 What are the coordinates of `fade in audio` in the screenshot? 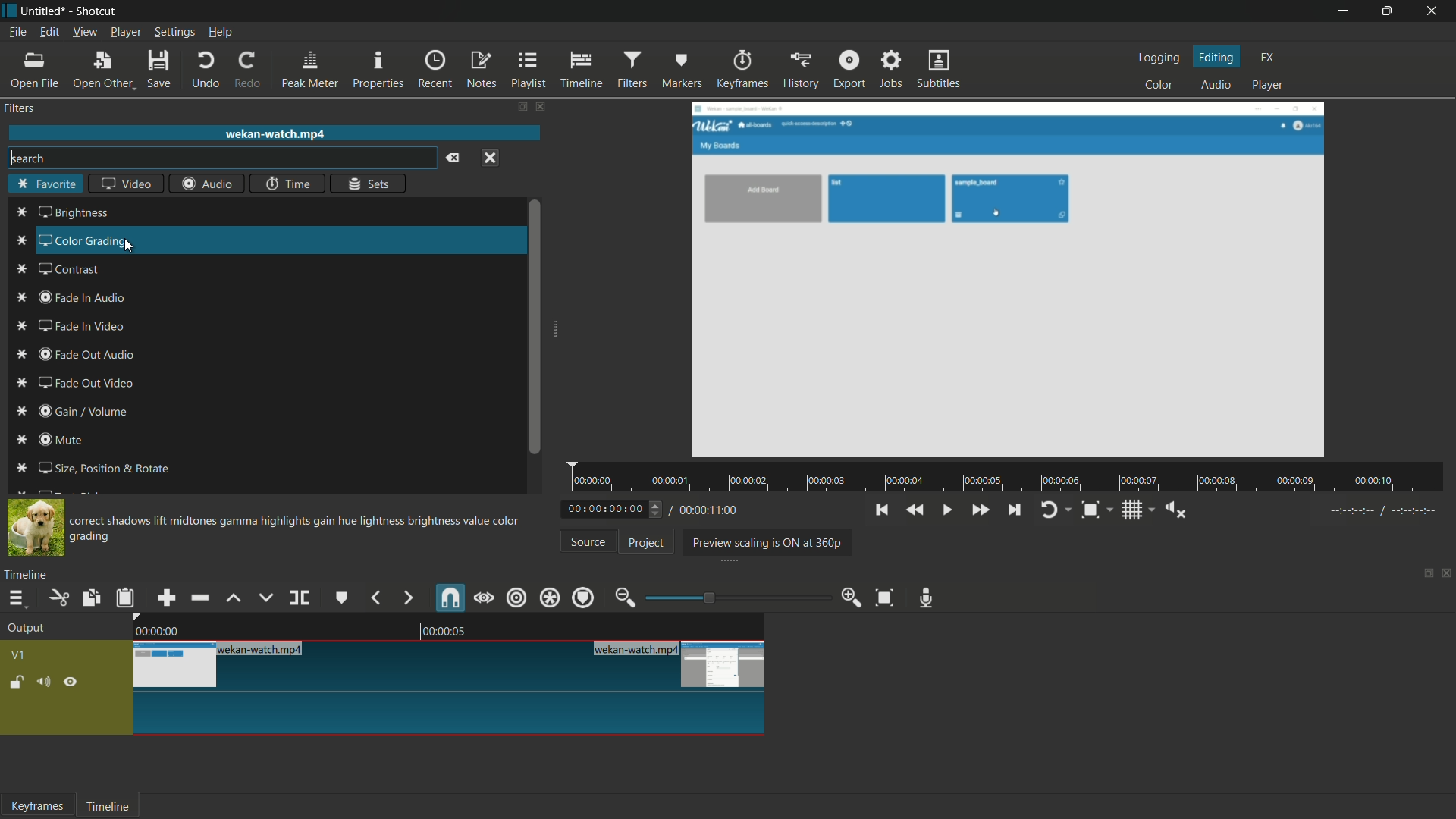 It's located at (74, 298).